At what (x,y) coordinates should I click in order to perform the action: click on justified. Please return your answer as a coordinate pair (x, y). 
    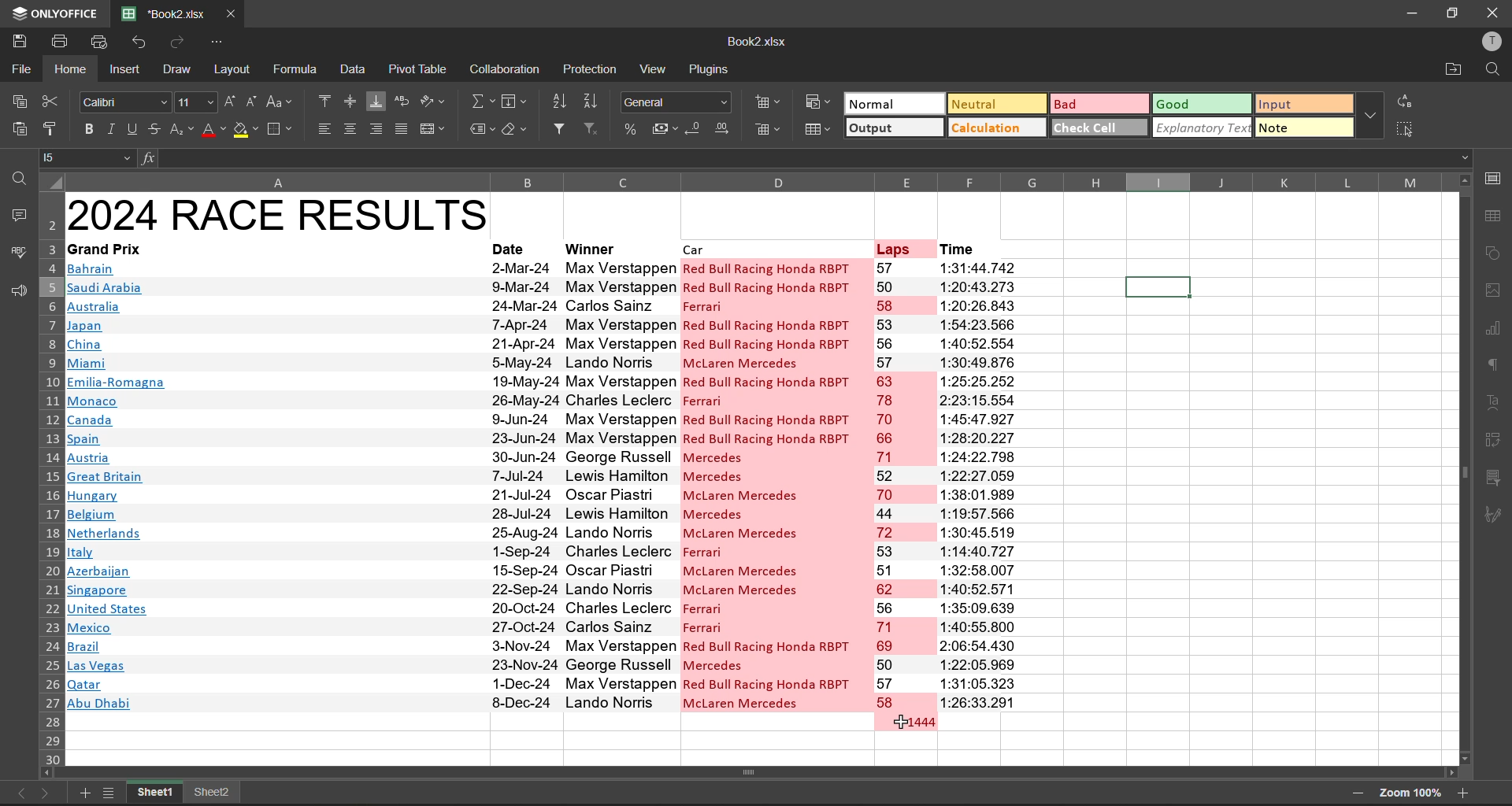
    Looking at the image, I should click on (403, 128).